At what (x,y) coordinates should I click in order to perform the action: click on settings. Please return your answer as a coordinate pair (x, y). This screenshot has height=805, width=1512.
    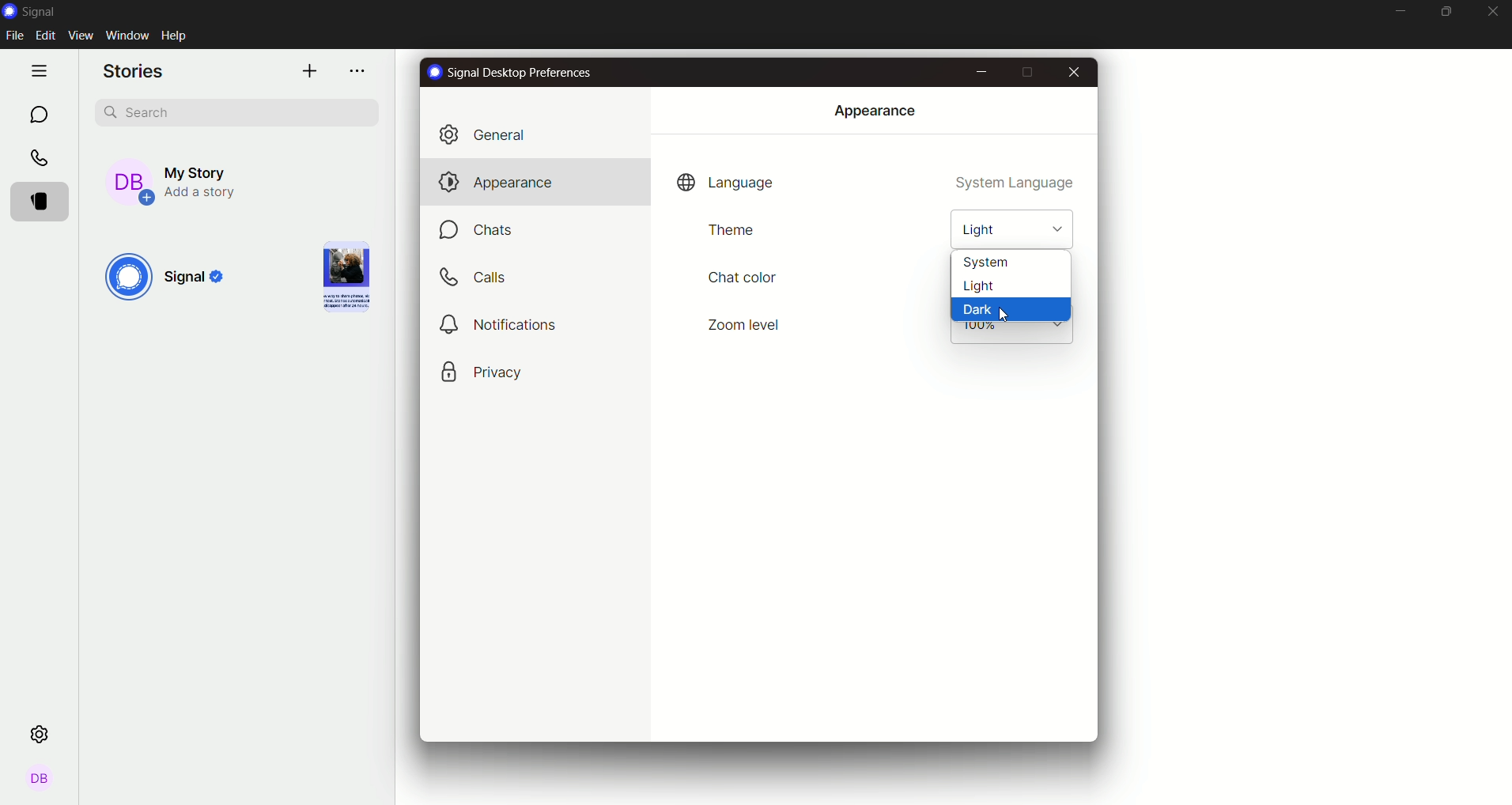
    Looking at the image, I should click on (43, 733).